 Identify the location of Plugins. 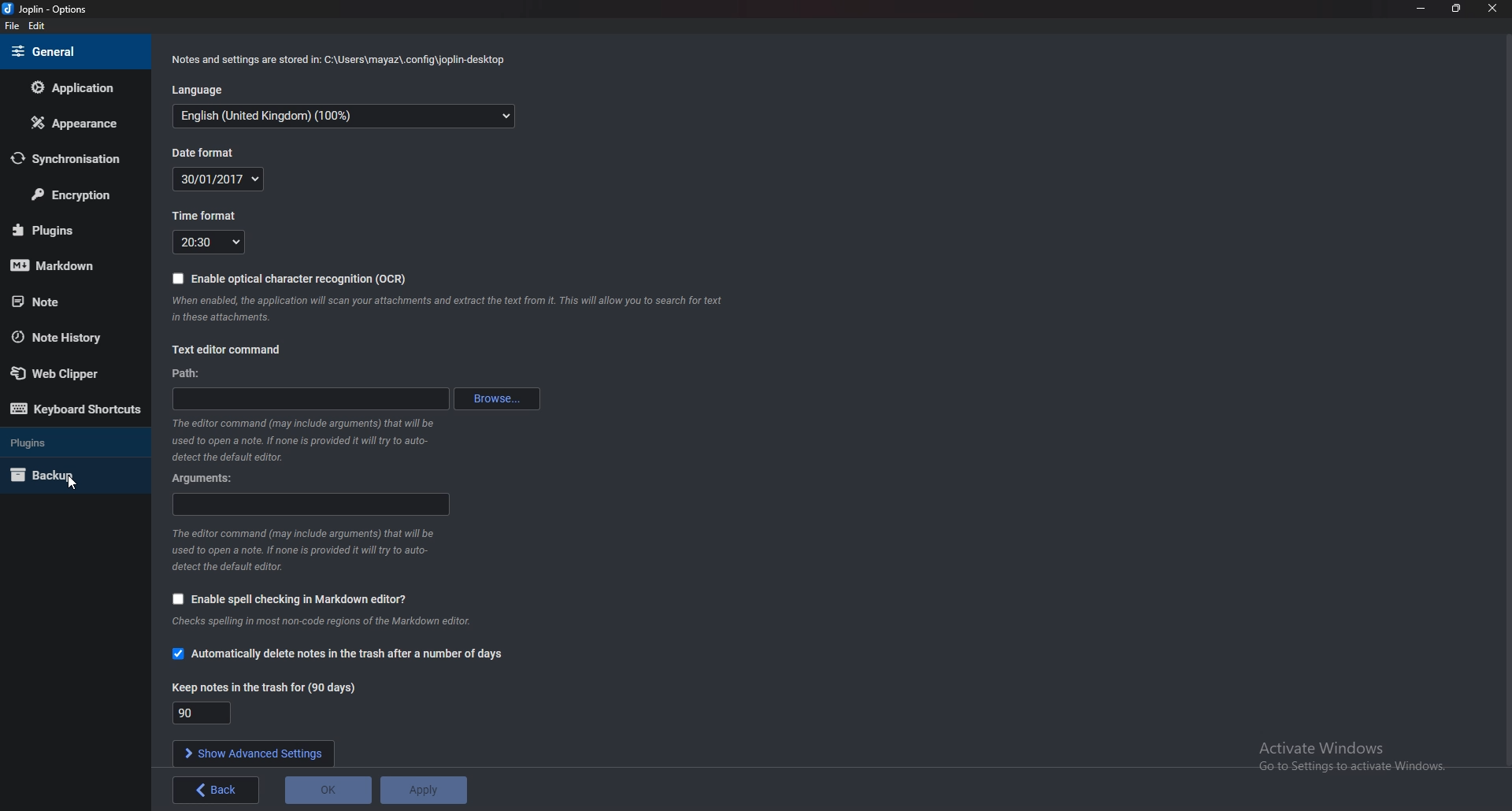
(68, 230).